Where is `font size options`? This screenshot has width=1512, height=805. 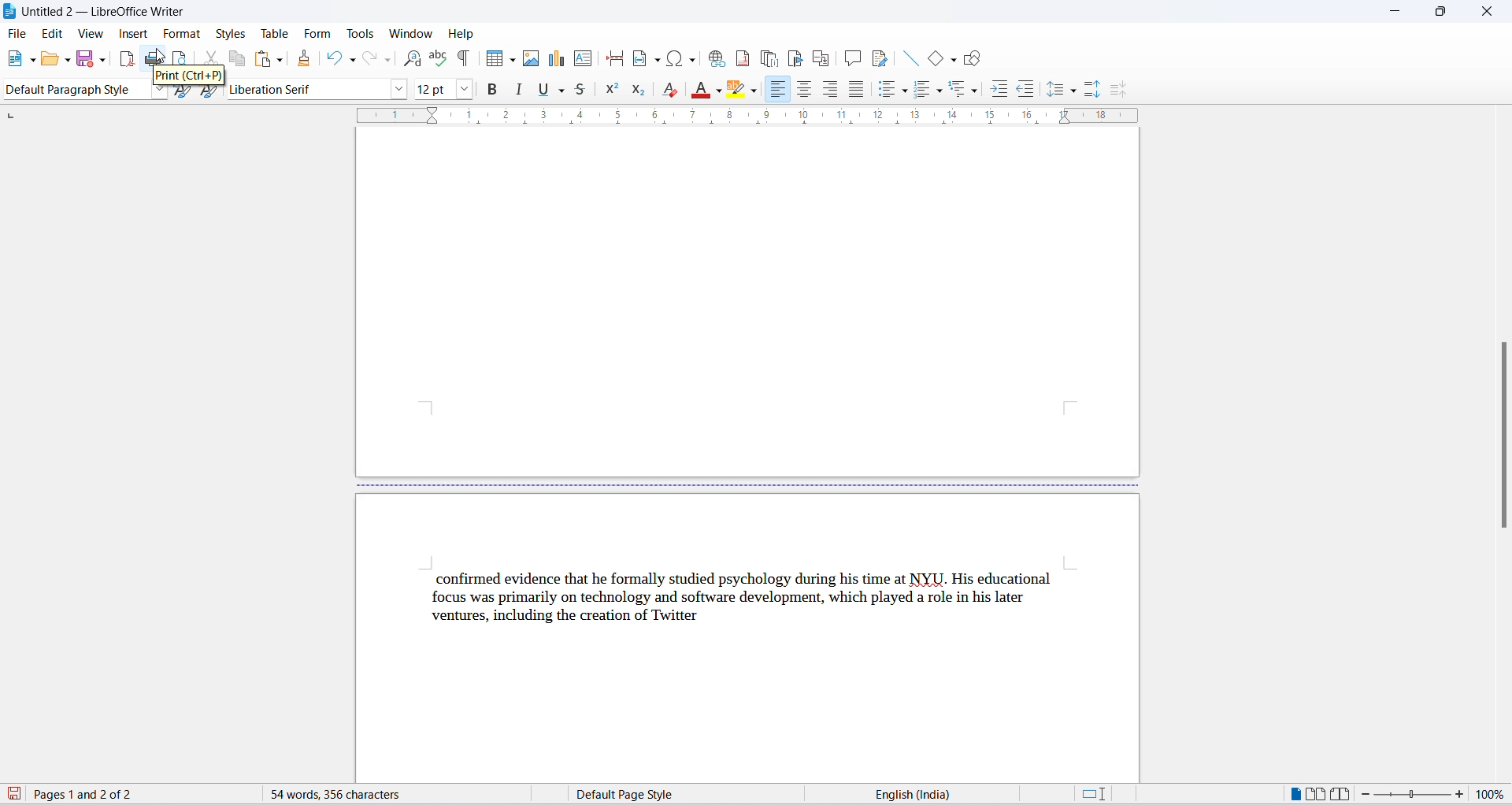
font size options is located at coordinates (465, 90).